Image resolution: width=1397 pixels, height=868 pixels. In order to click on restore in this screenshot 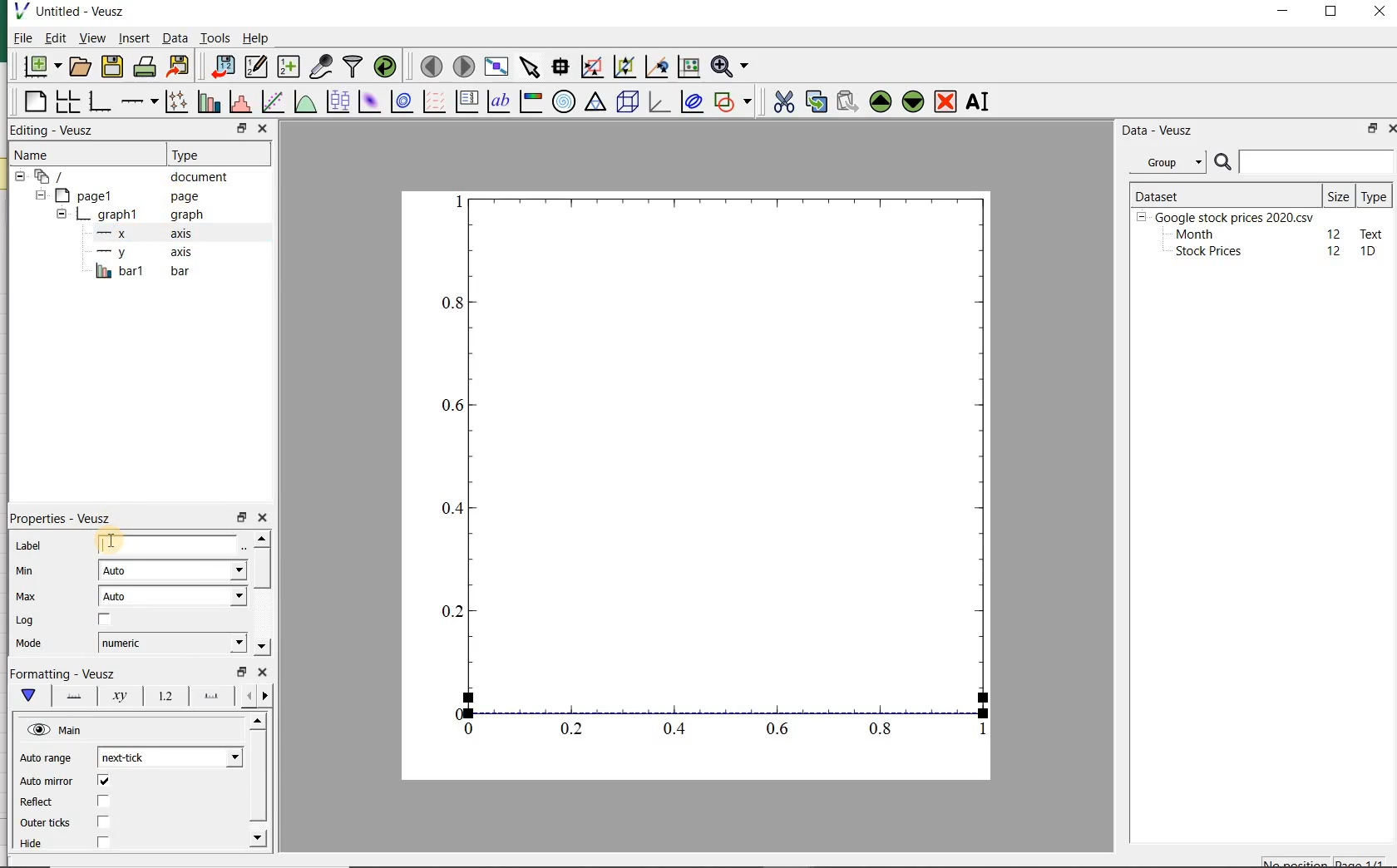, I will do `click(242, 672)`.